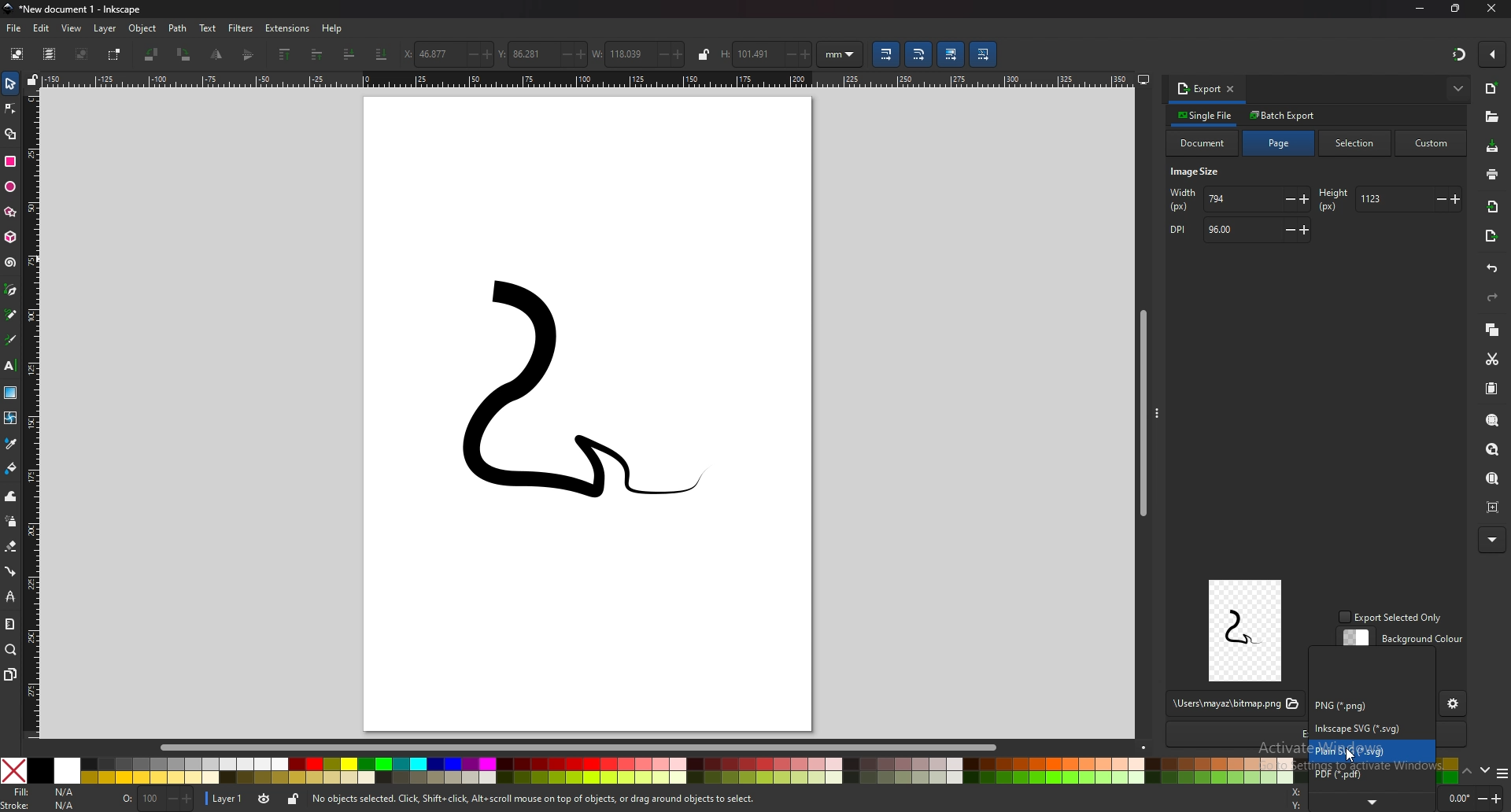  What do you see at coordinates (1369, 728) in the screenshot?
I see `inkscape svg` at bounding box center [1369, 728].